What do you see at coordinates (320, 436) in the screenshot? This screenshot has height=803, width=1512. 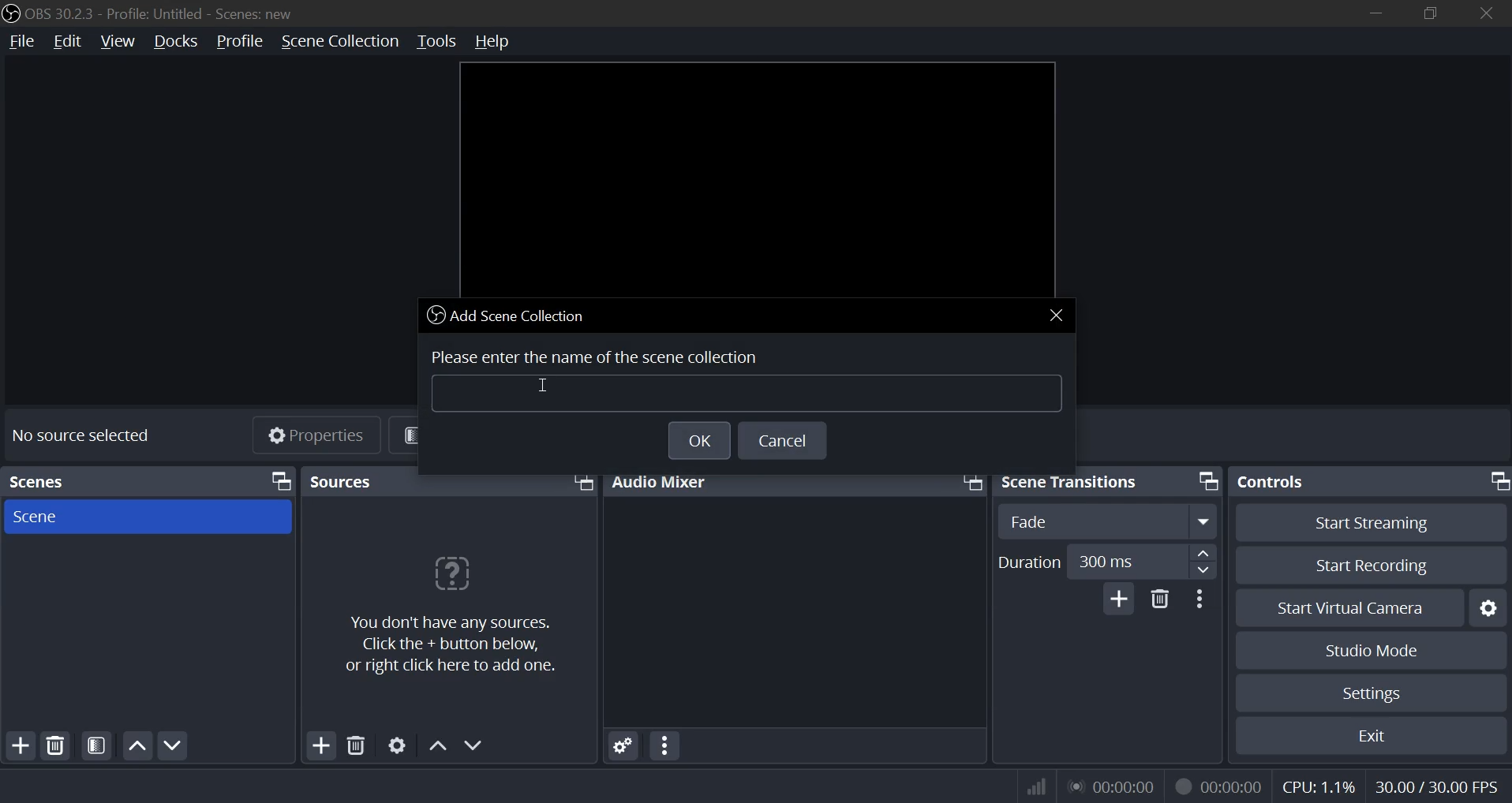 I see `Properties` at bounding box center [320, 436].